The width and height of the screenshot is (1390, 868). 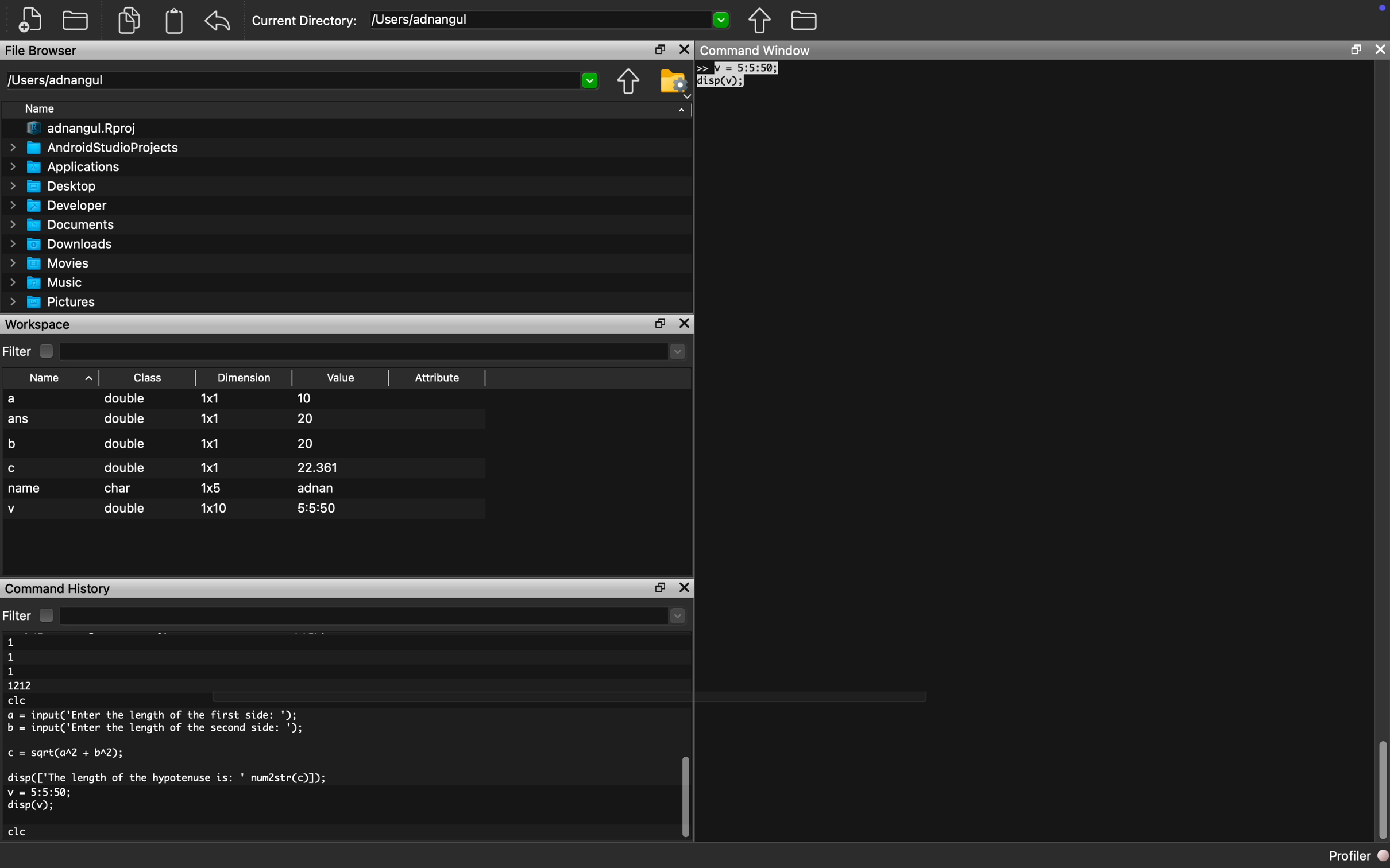 What do you see at coordinates (805, 21) in the screenshot?
I see `Folder` at bounding box center [805, 21].